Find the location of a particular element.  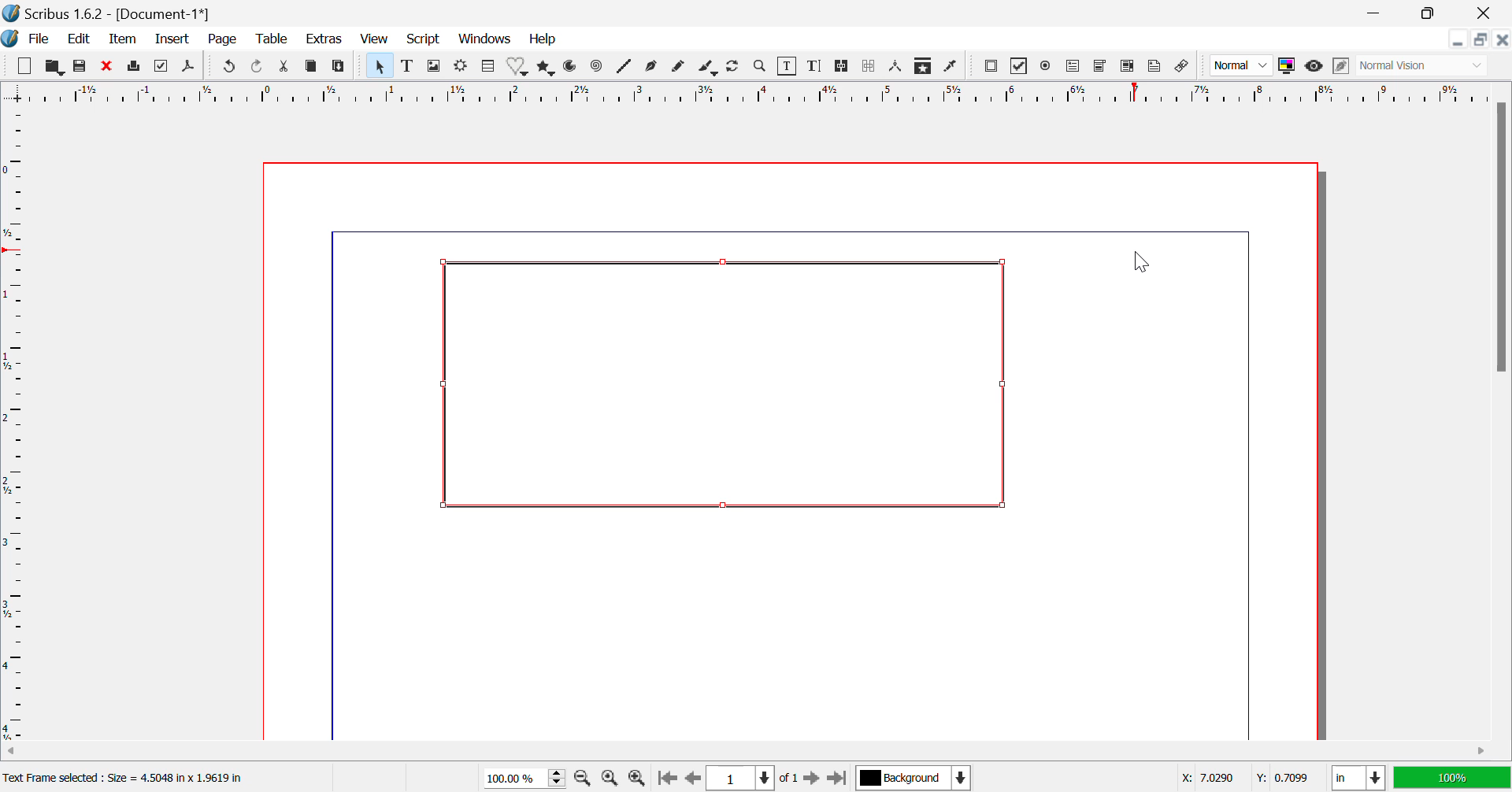

Pdf Radio button is located at coordinates (1048, 66).